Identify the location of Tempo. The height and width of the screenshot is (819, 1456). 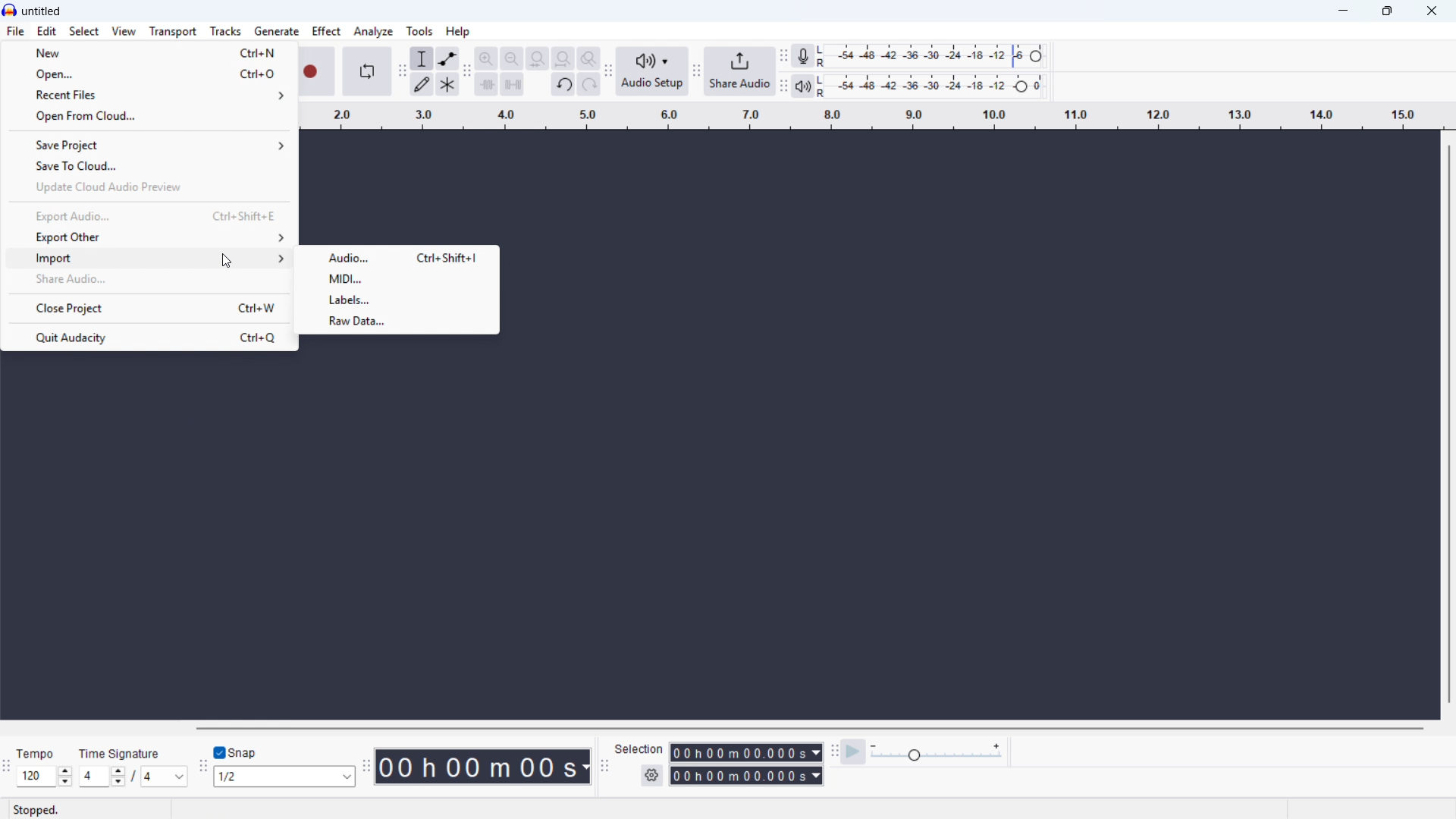
(39, 754).